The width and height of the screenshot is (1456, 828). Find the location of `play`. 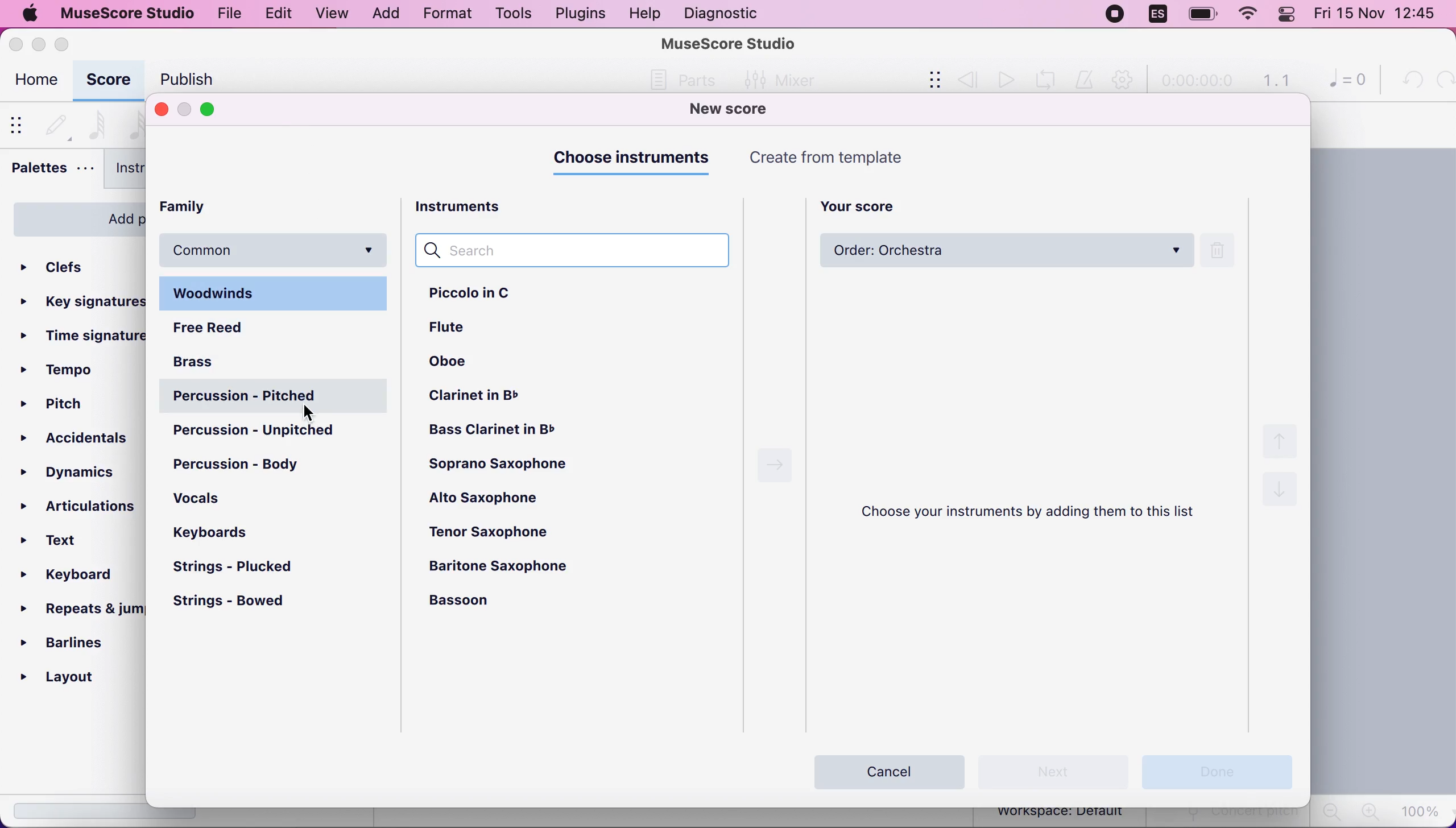

play is located at coordinates (1004, 80).